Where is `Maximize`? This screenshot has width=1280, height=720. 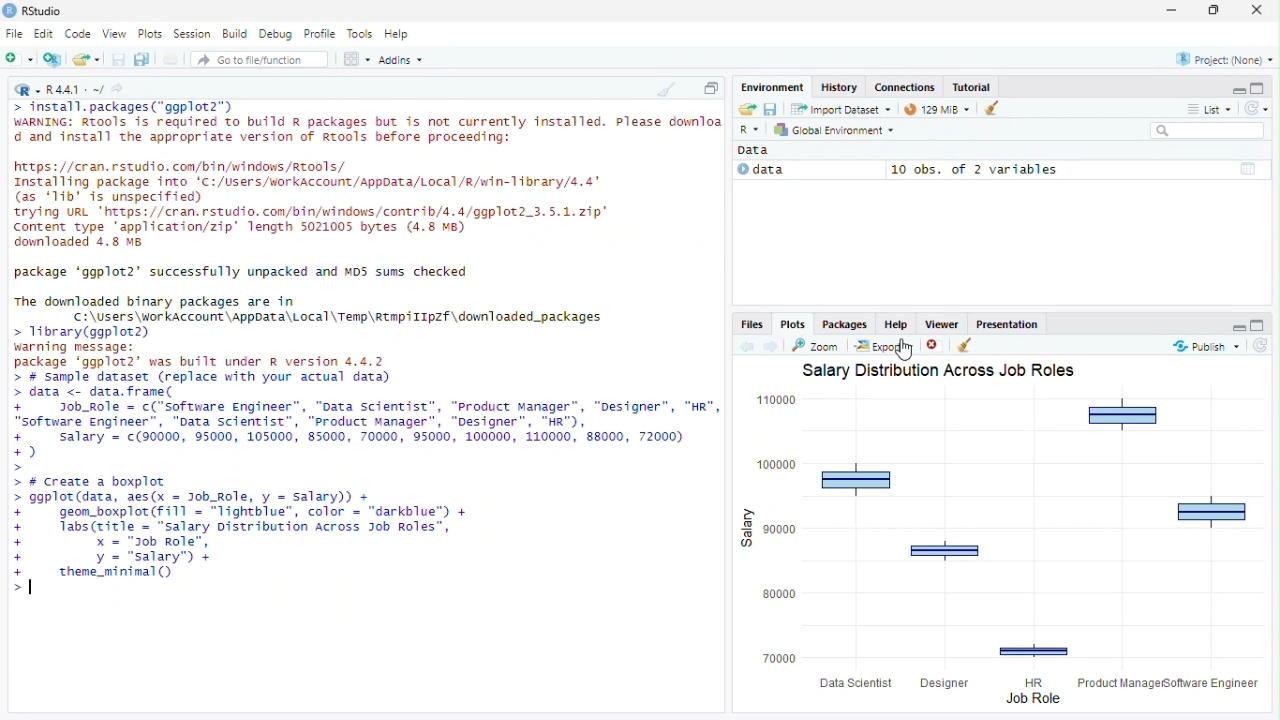
Maximize is located at coordinates (1262, 86).